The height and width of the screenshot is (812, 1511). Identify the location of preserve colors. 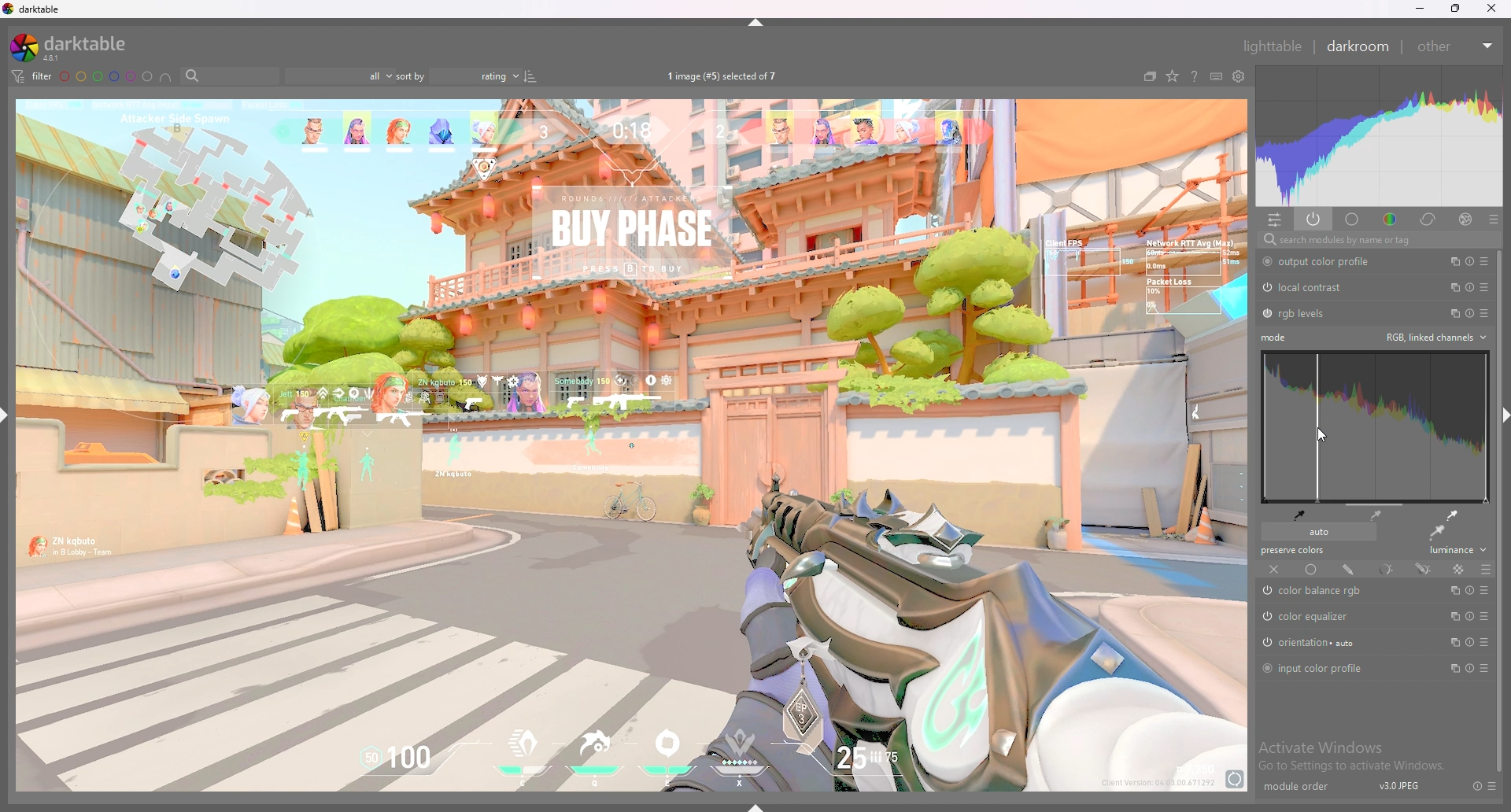
(1295, 551).